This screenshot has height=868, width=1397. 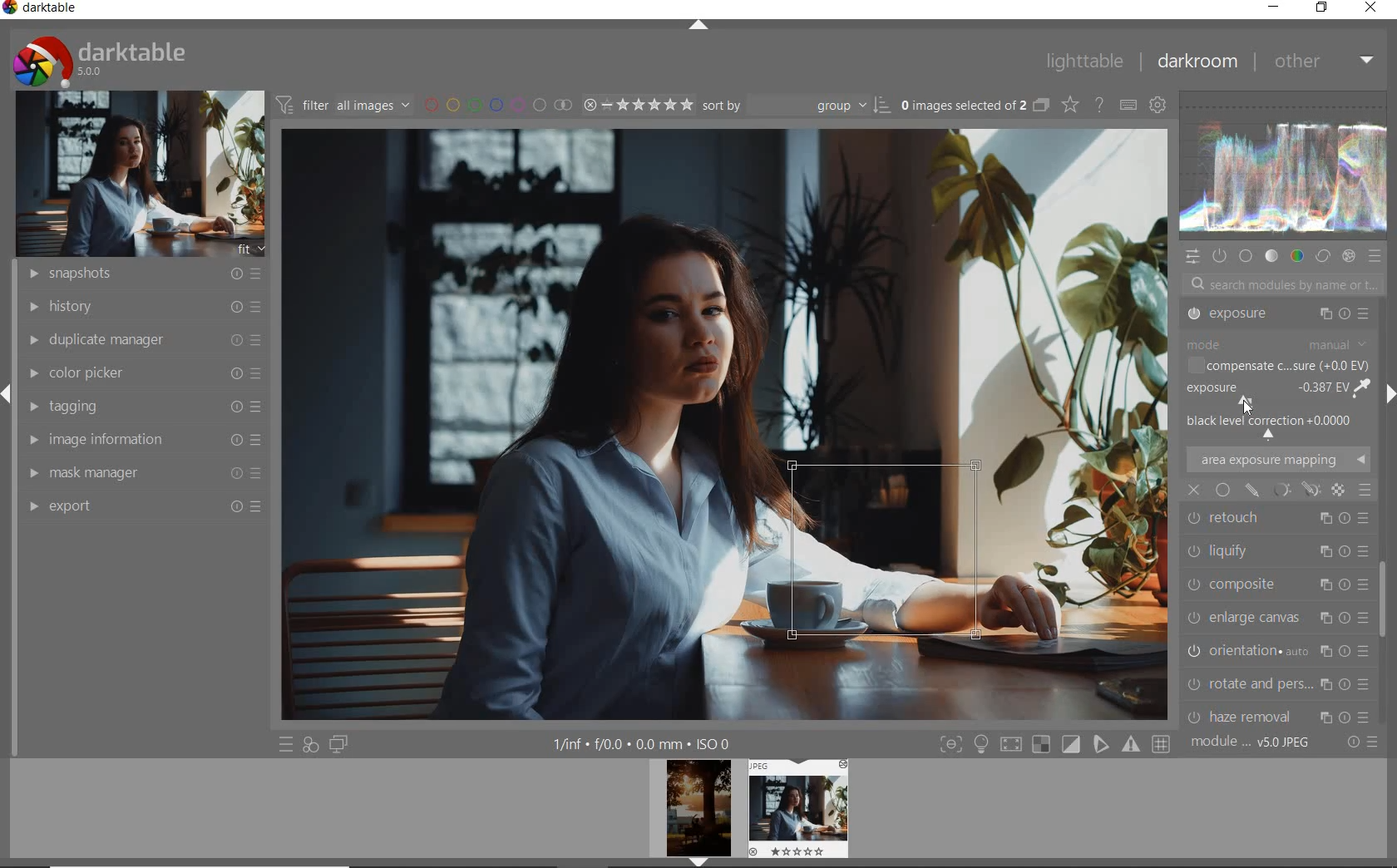 I want to click on CORRECT, so click(x=1322, y=254).